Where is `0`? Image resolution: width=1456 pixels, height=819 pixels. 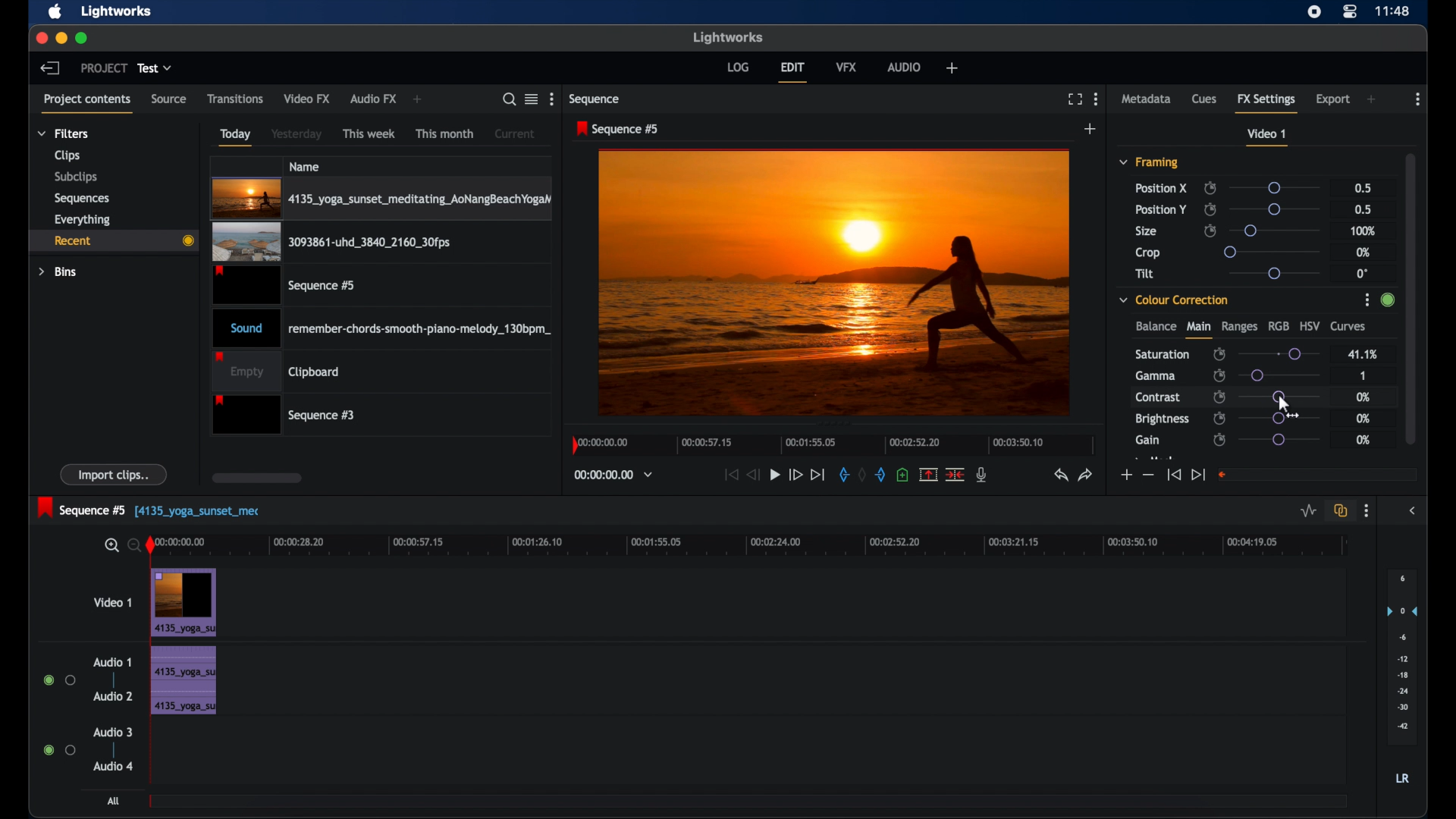 0 is located at coordinates (1362, 273).